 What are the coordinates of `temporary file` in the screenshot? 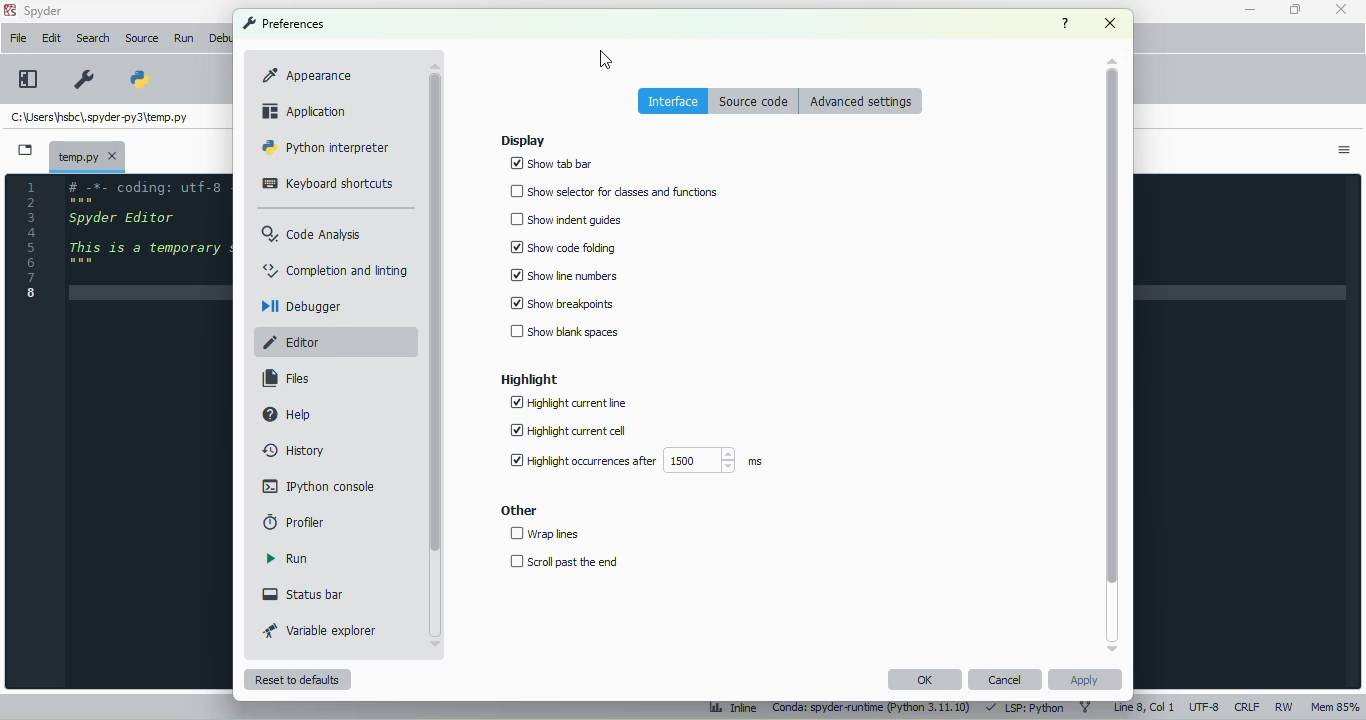 It's located at (99, 117).